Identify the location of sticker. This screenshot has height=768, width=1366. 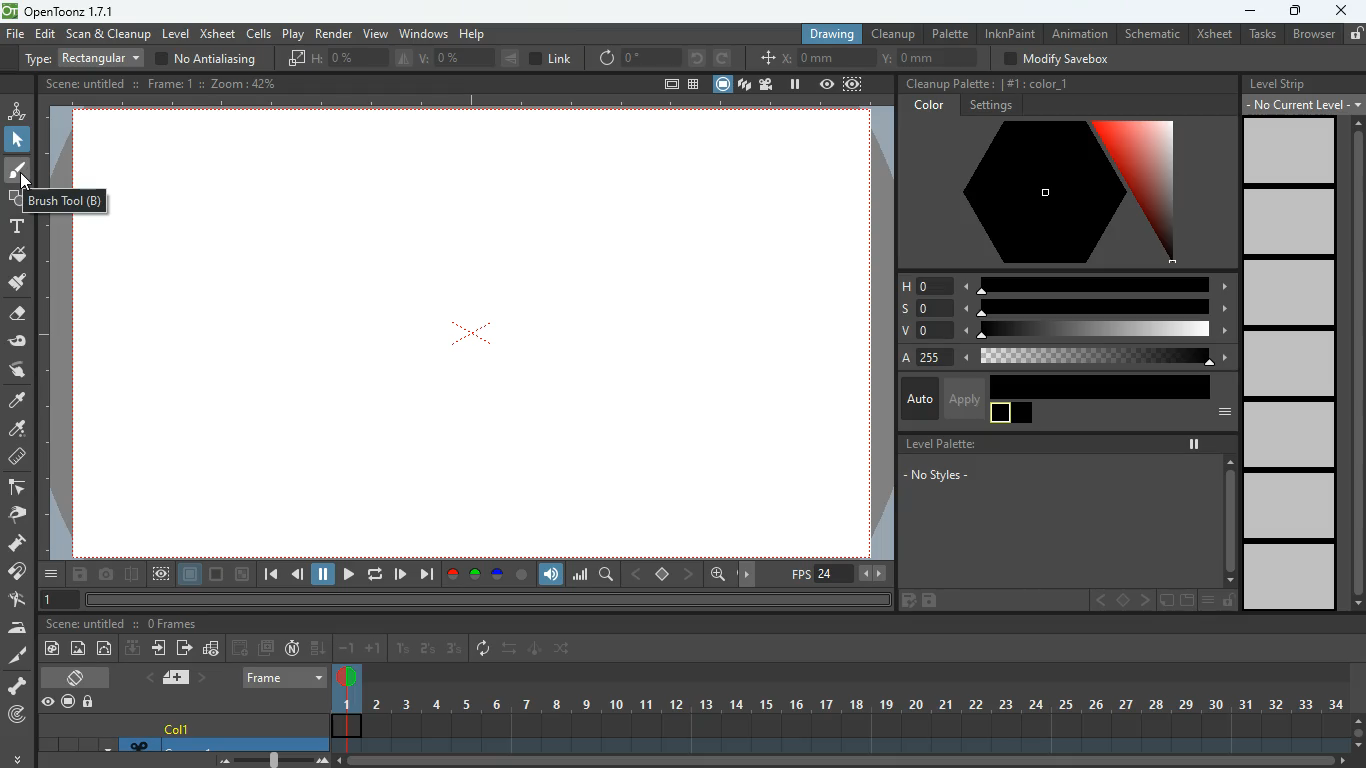
(1165, 601).